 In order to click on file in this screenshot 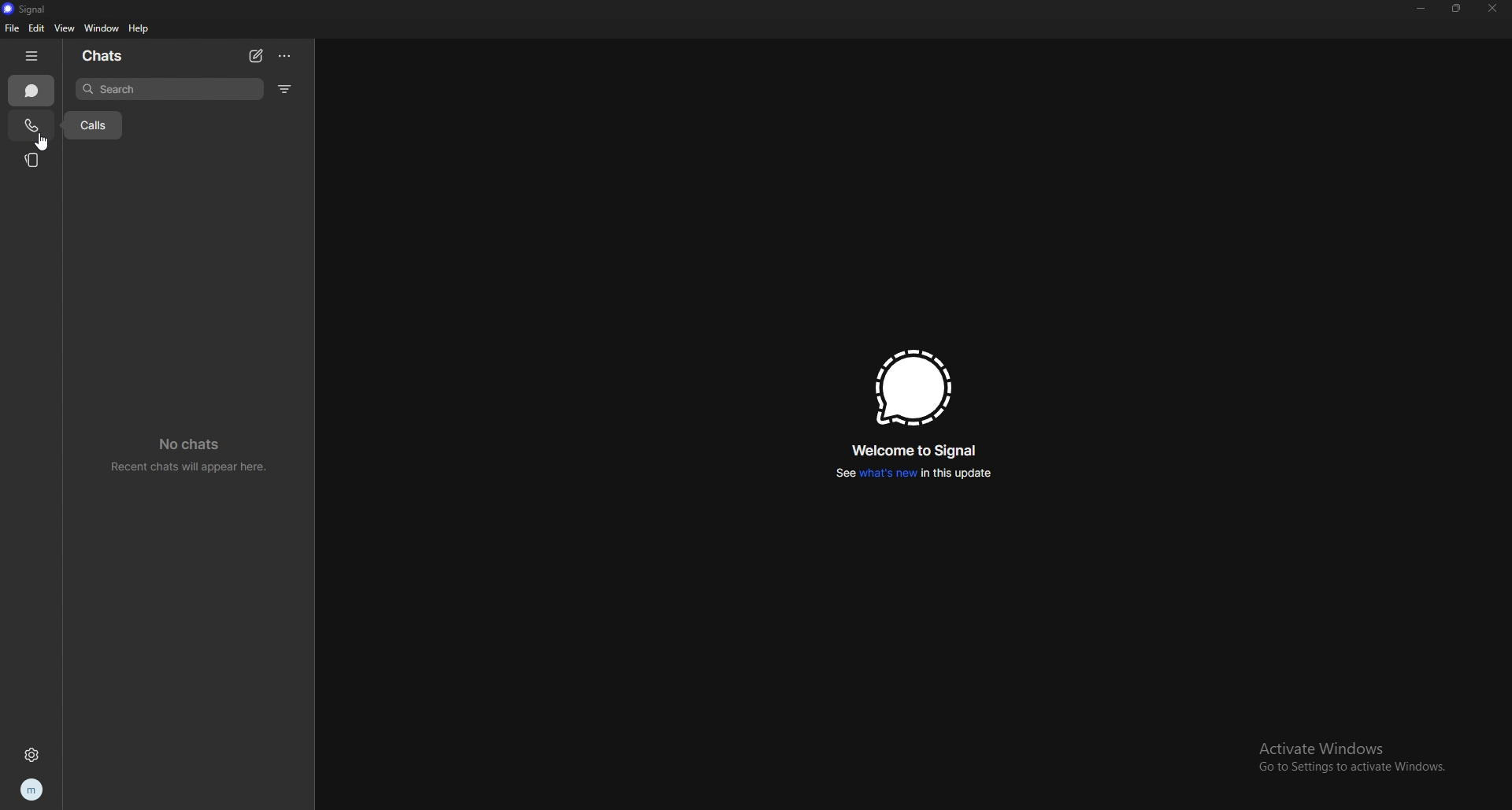, I will do `click(13, 28)`.